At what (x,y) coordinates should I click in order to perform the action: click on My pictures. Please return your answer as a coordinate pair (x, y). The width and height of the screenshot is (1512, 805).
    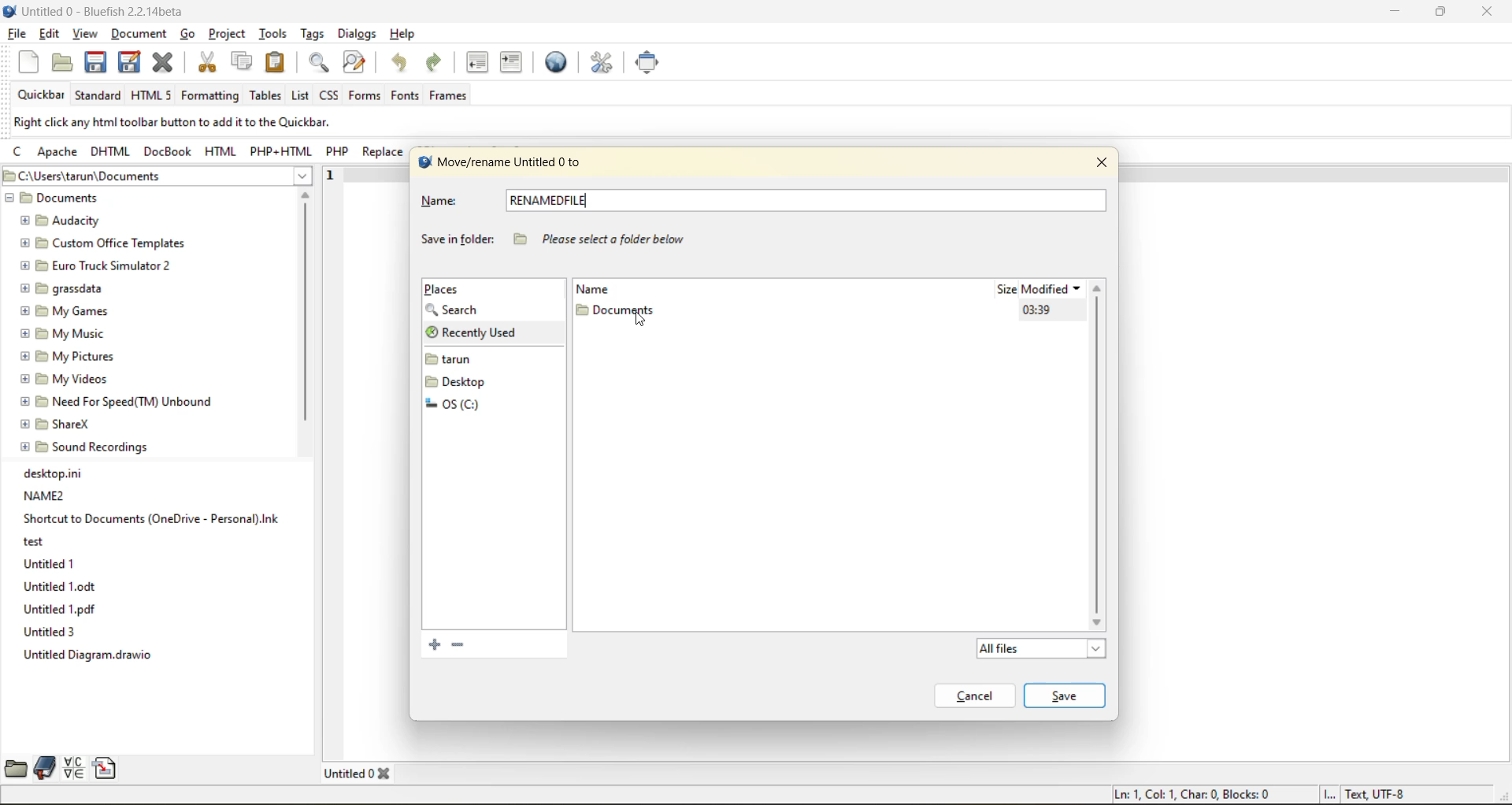
    Looking at the image, I should click on (65, 358).